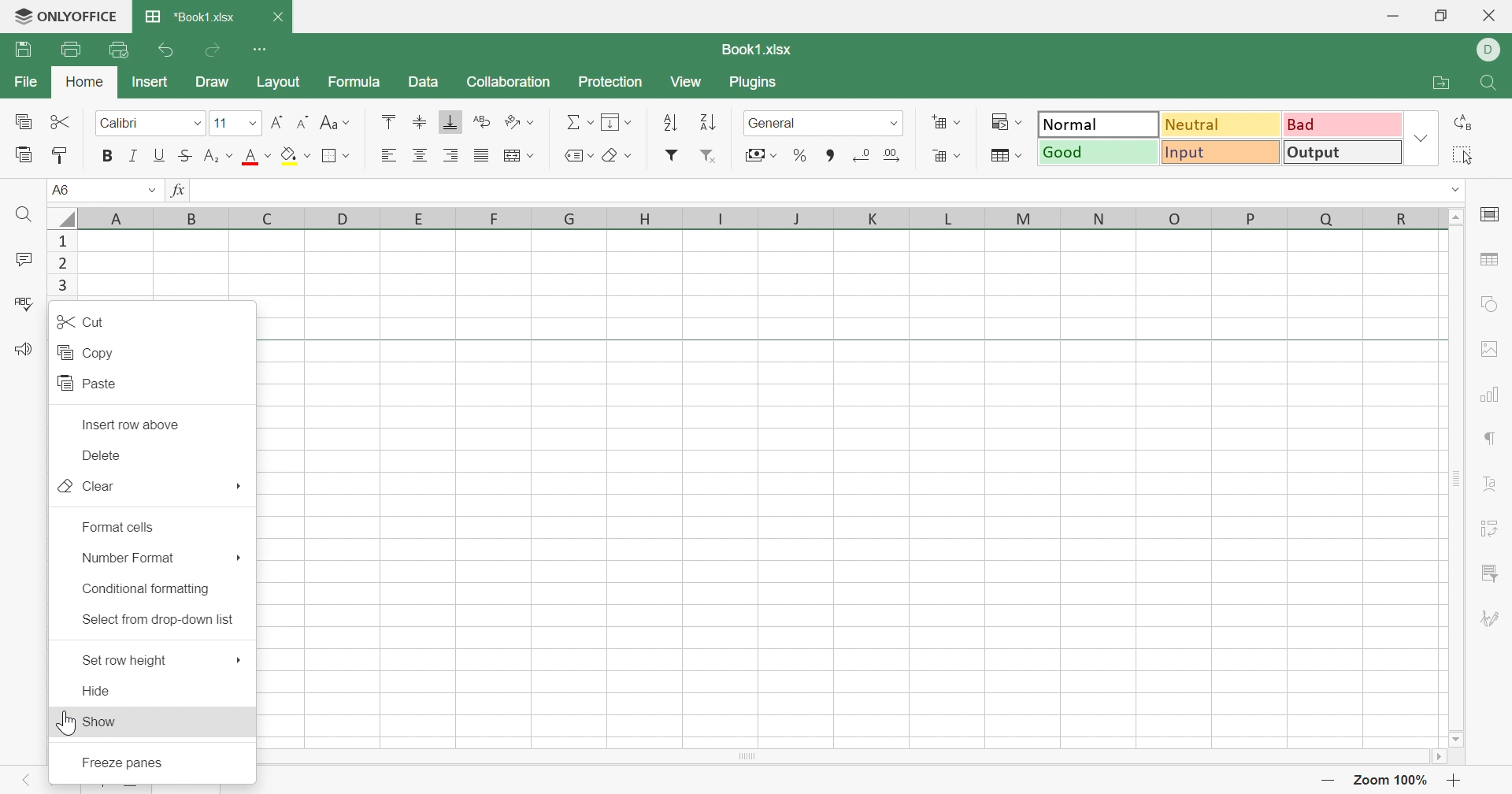 The width and height of the screenshot is (1512, 794). What do you see at coordinates (218, 154) in the screenshot?
I see `Subscript/ Superscript` at bounding box center [218, 154].